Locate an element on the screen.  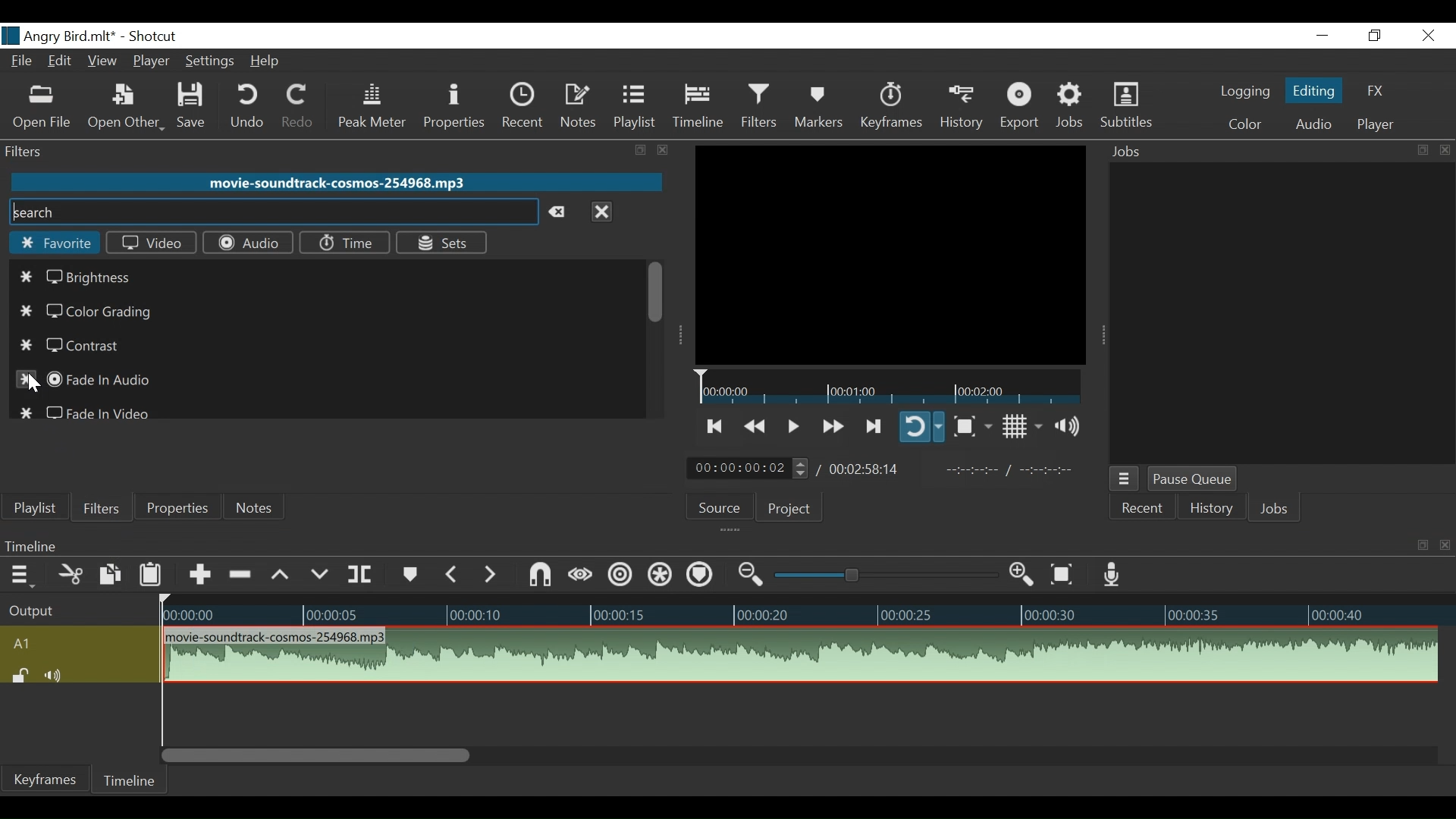
Skip to the next to point is located at coordinates (716, 424).